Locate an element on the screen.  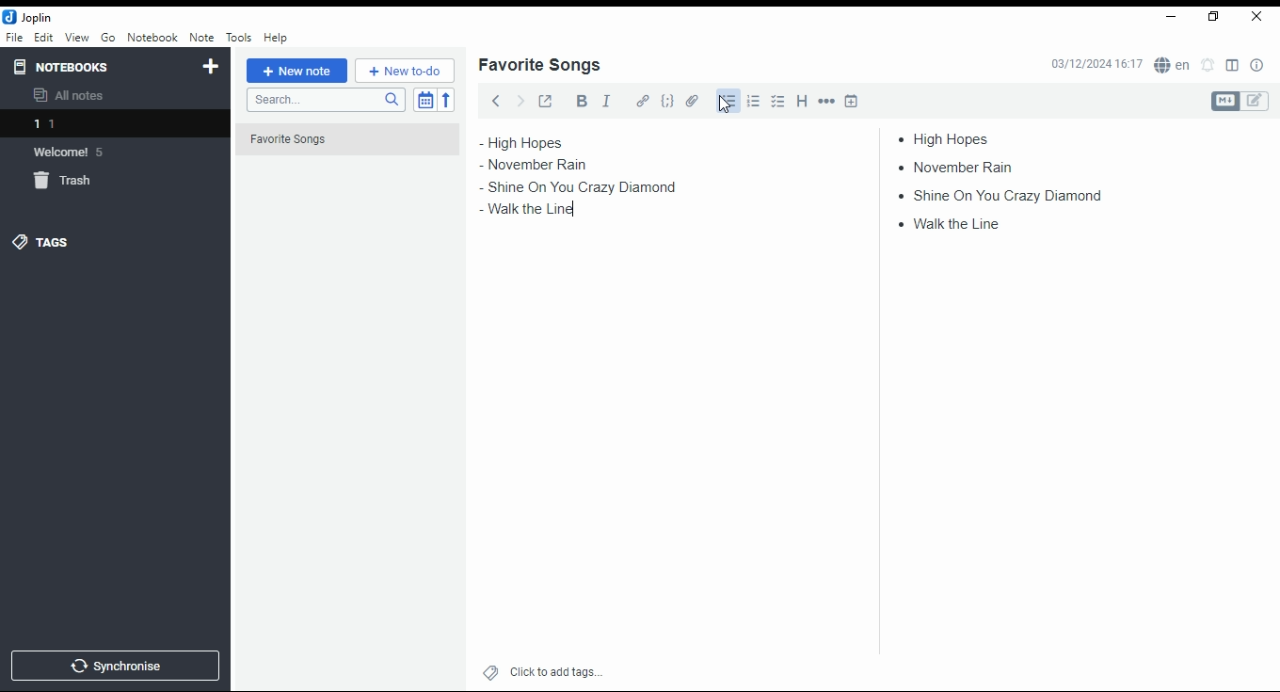
walk ta line is located at coordinates (952, 222).